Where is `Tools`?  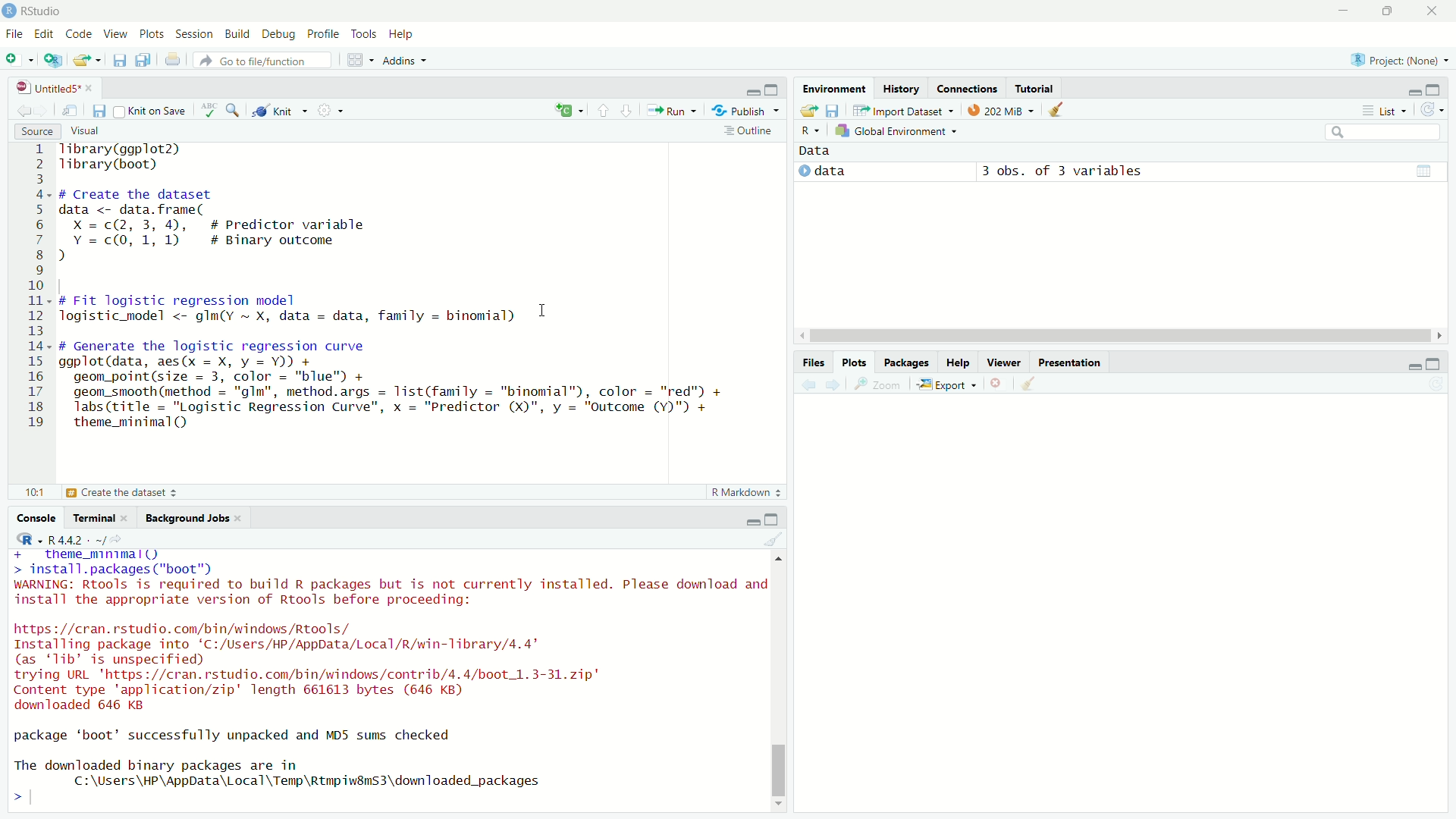 Tools is located at coordinates (362, 33).